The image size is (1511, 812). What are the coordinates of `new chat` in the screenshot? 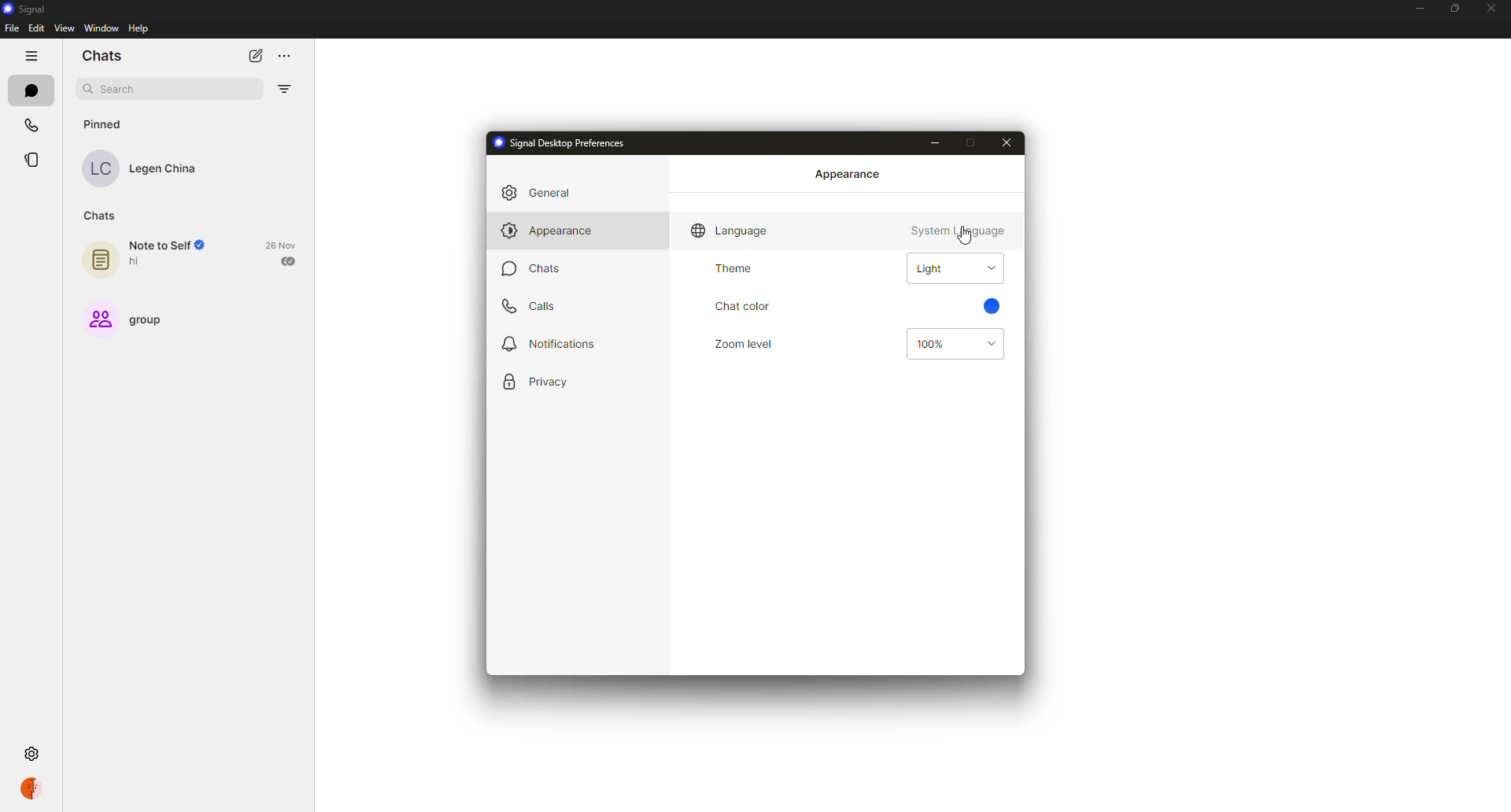 It's located at (256, 57).